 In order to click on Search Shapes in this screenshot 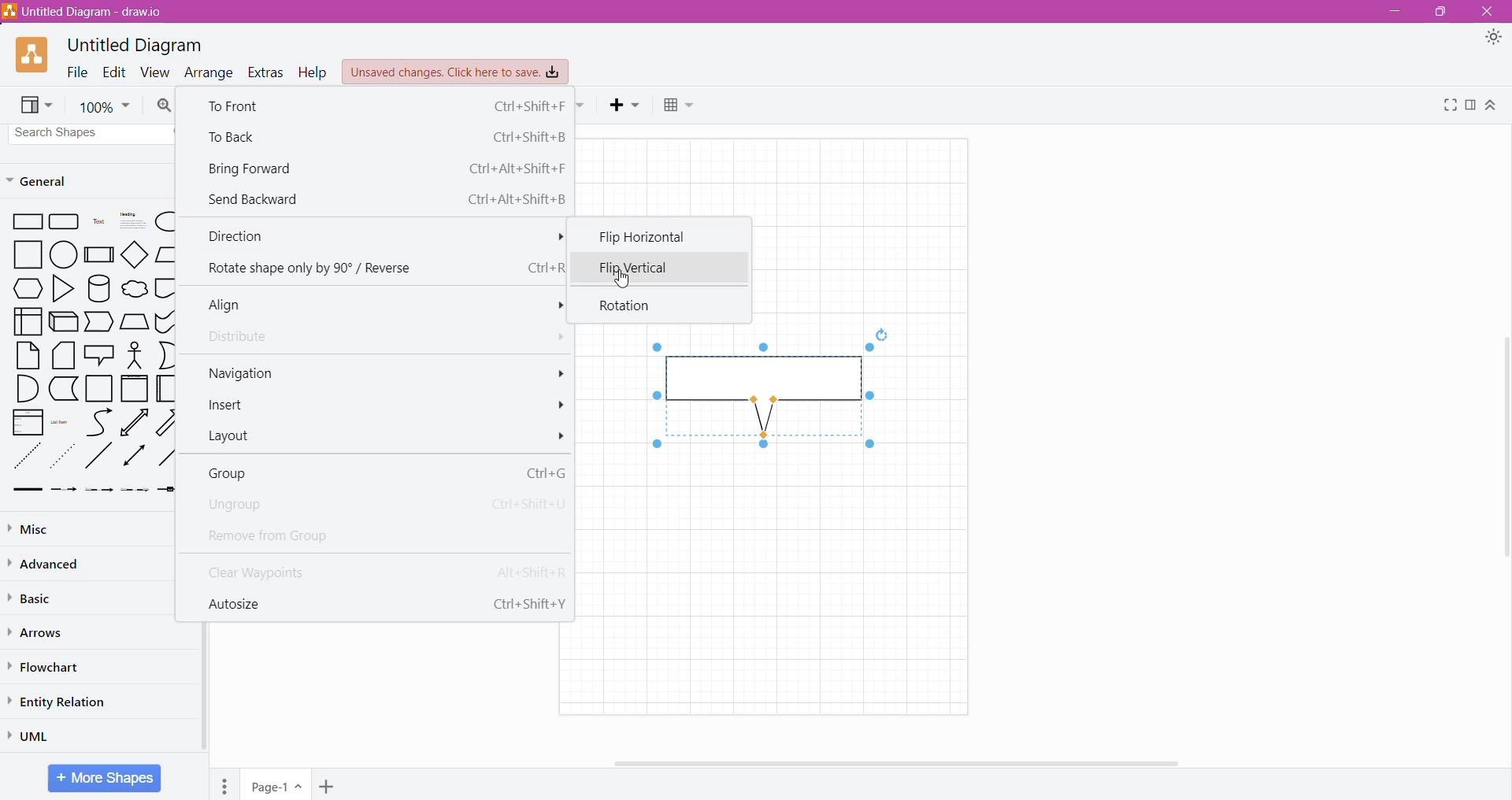, I will do `click(92, 133)`.